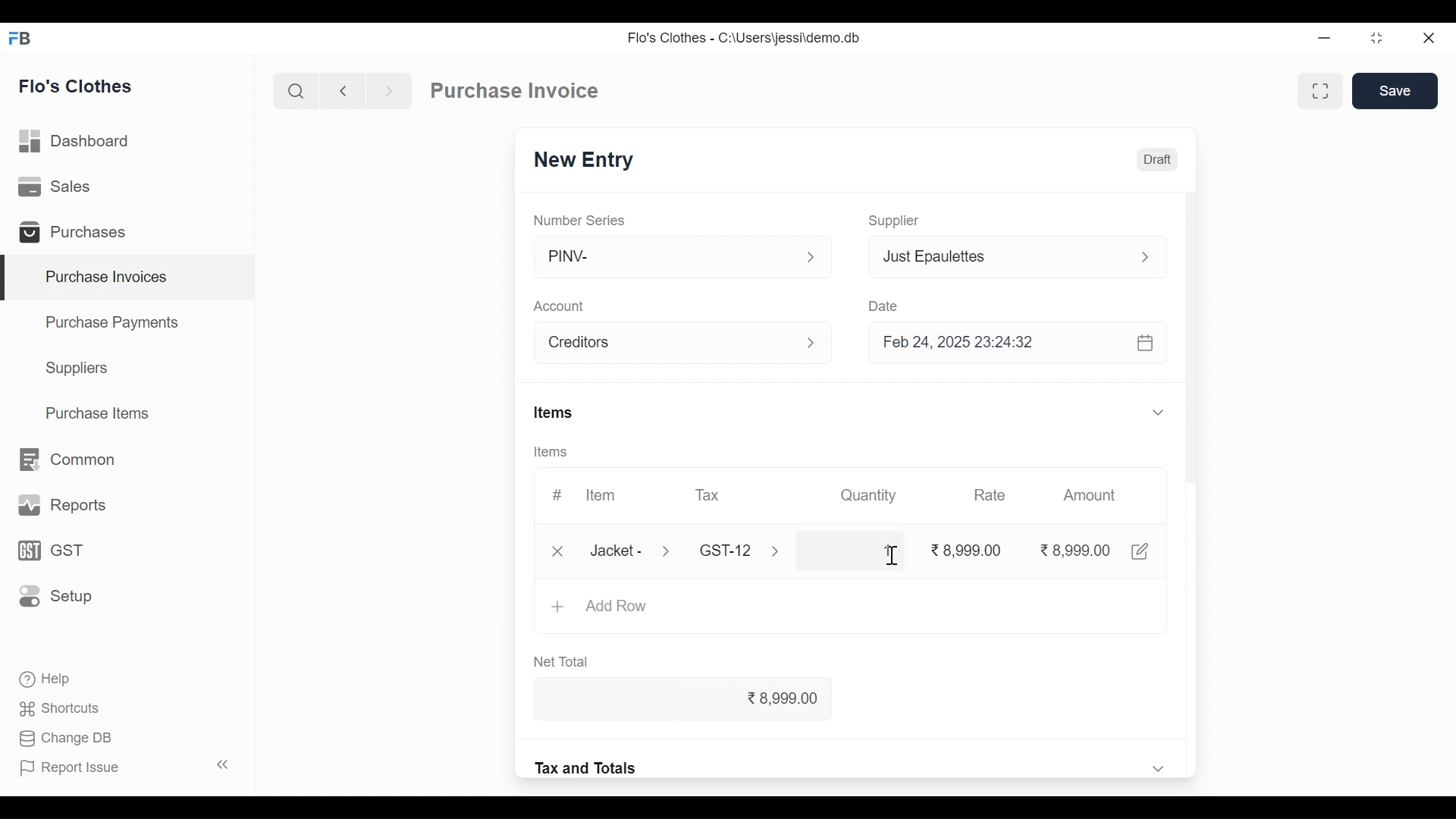 Image resolution: width=1456 pixels, height=819 pixels. What do you see at coordinates (1317, 93) in the screenshot?
I see `Toggle between form and full width` at bounding box center [1317, 93].